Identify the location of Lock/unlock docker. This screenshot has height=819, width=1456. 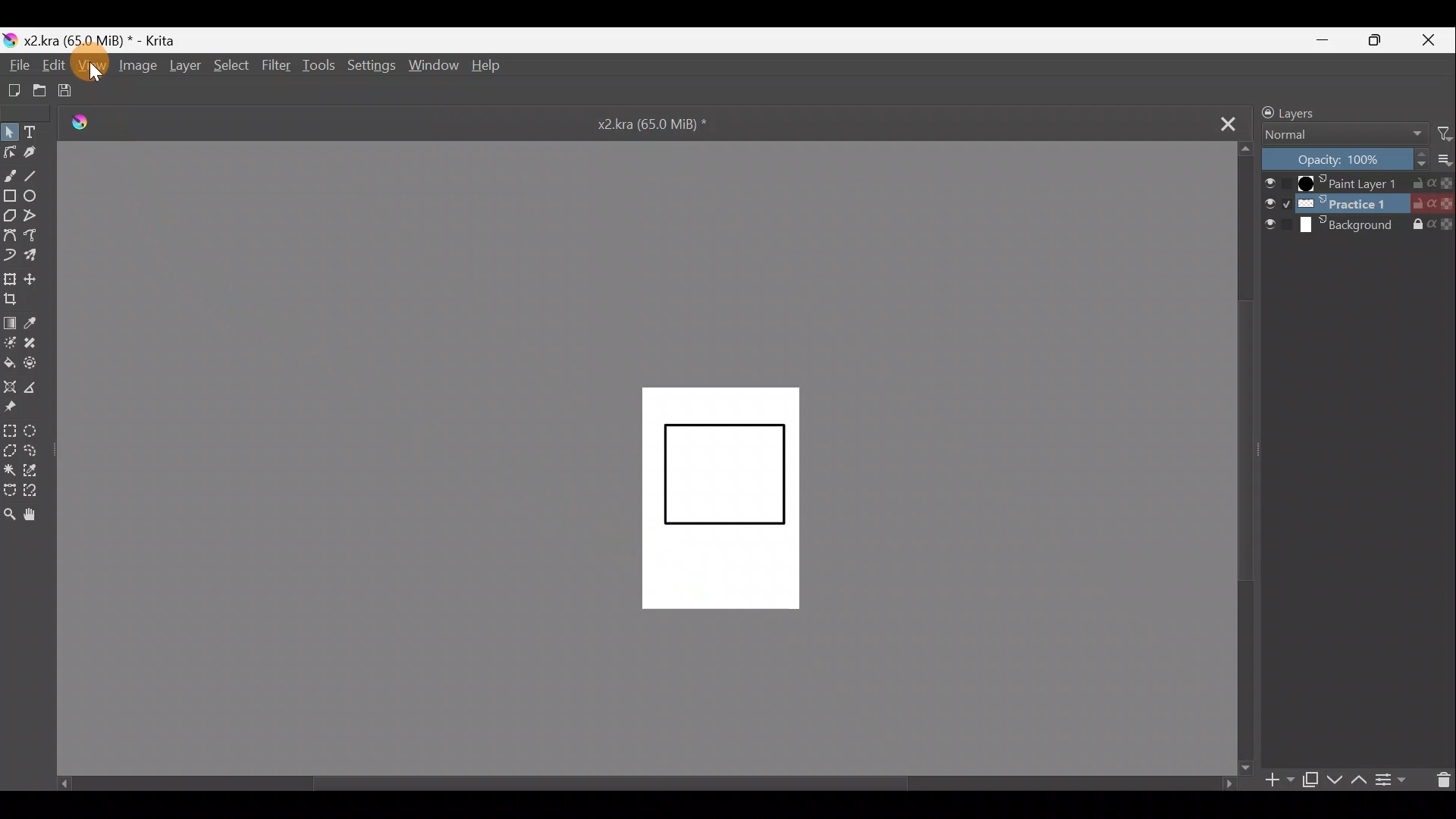
(1260, 111).